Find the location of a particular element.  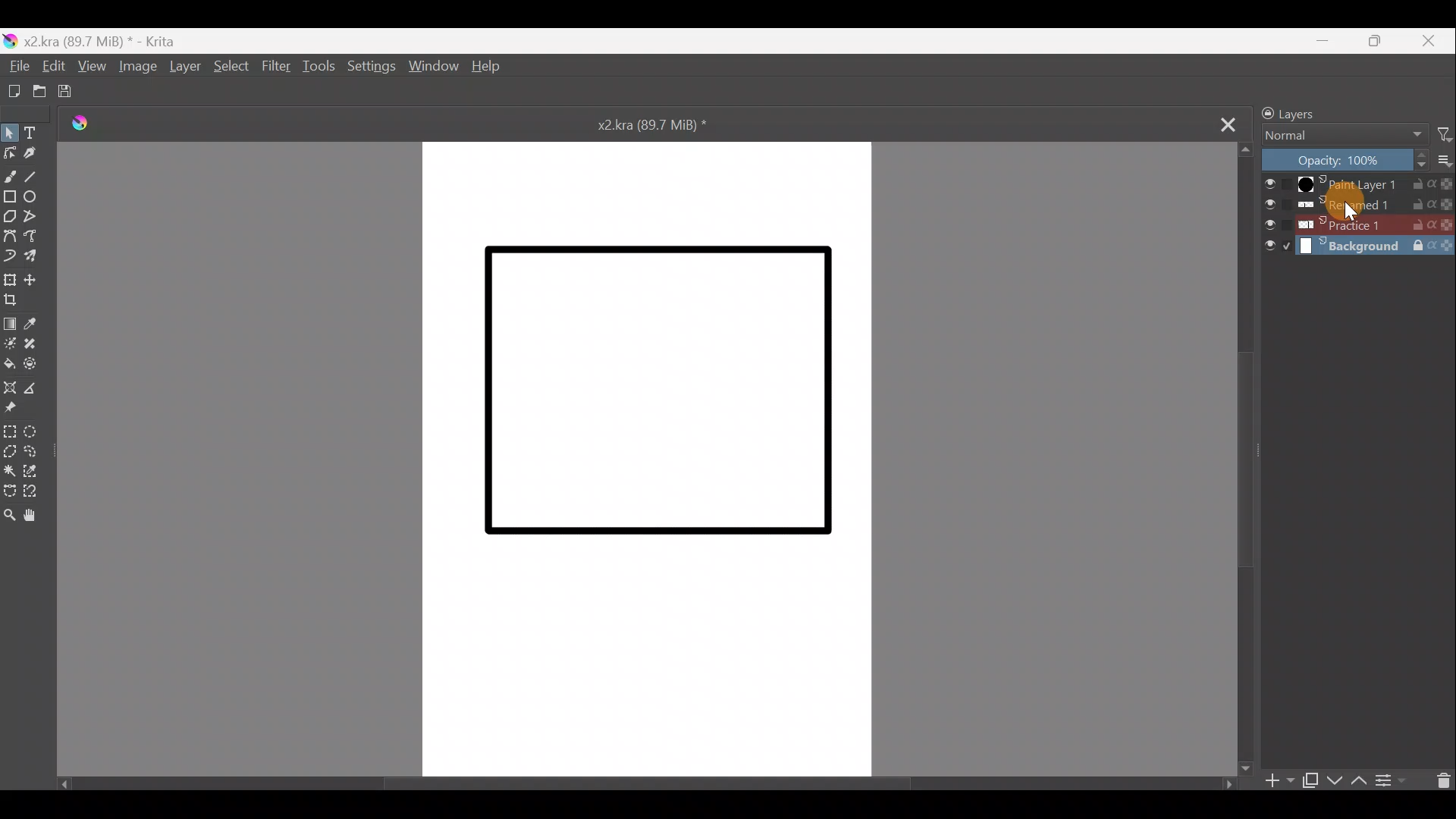

Krita logo is located at coordinates (10, 42).